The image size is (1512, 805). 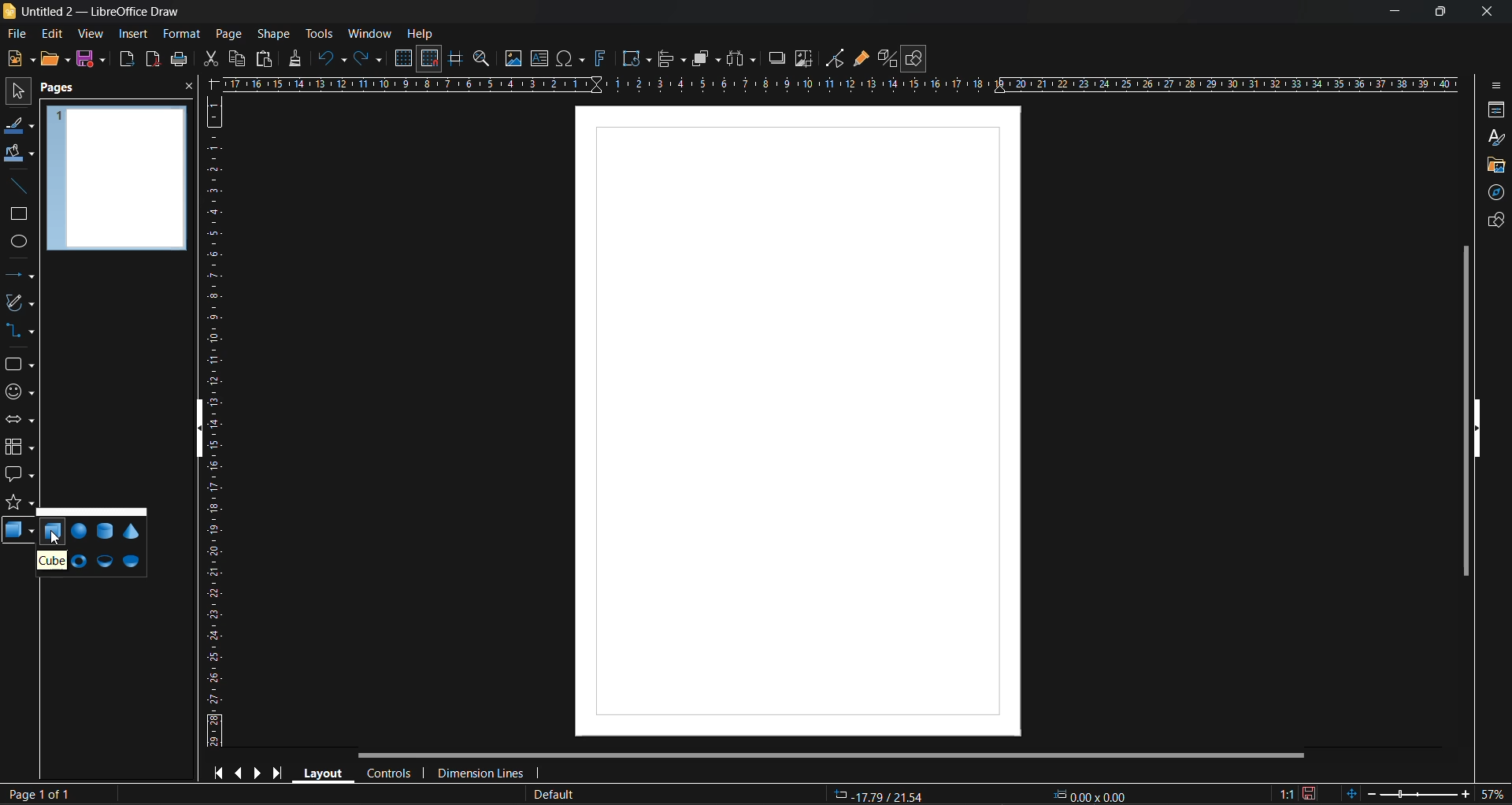 What do you see at coordinates (18, 186) in the screenshot?
I see `insert line` at bounding box center [18, 186].